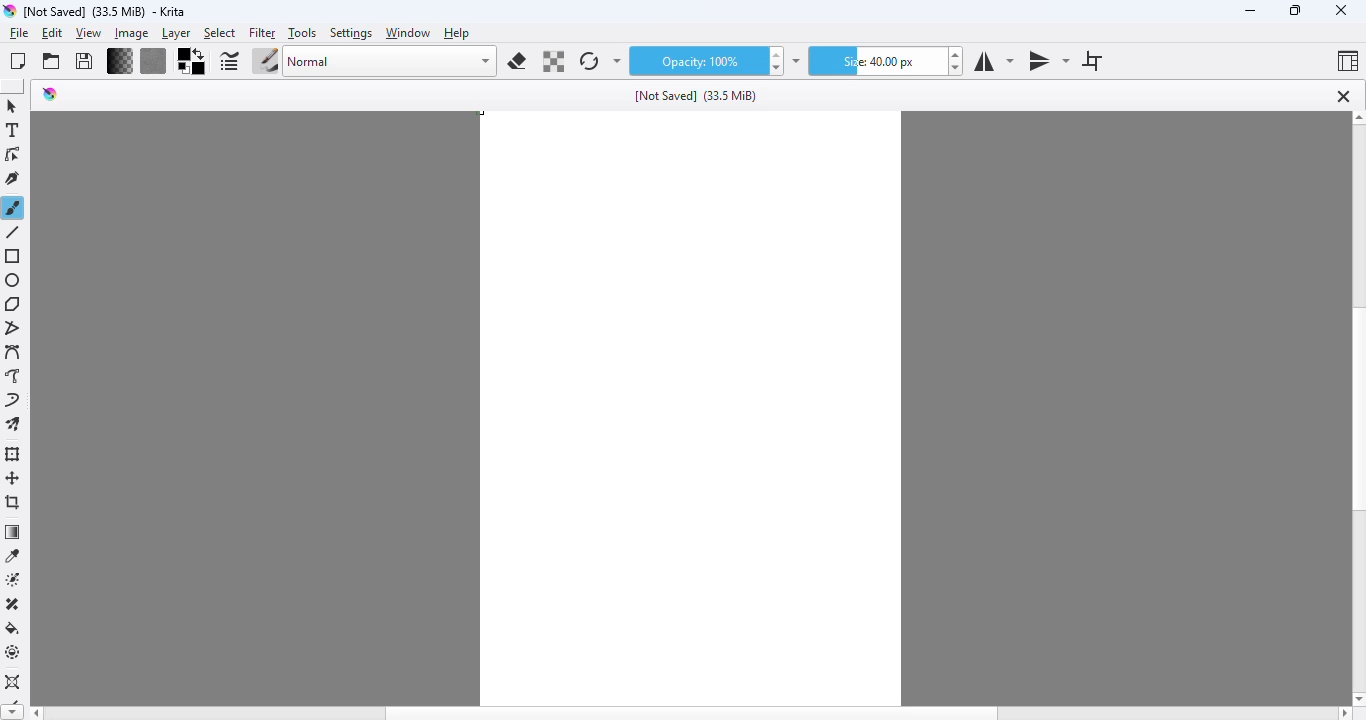 The width and height of the screenshot is (1366, 720). Describe the element at coordinates (518, 62) in the screenshot. I see `set eraser mode` at that location.